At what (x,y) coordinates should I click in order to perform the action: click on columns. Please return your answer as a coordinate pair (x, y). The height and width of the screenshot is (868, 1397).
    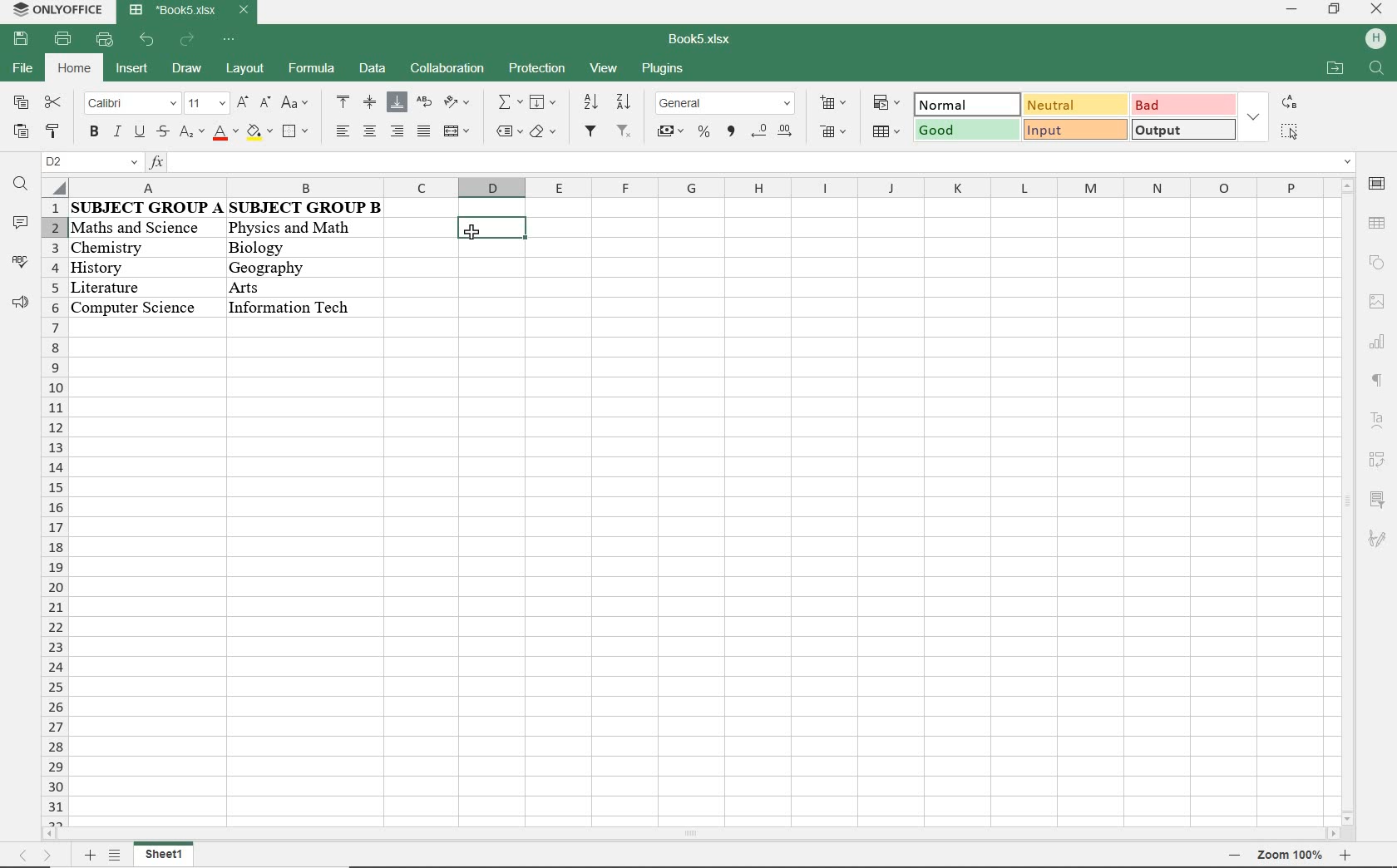
    Looking at the image, I should click on (684, 187).